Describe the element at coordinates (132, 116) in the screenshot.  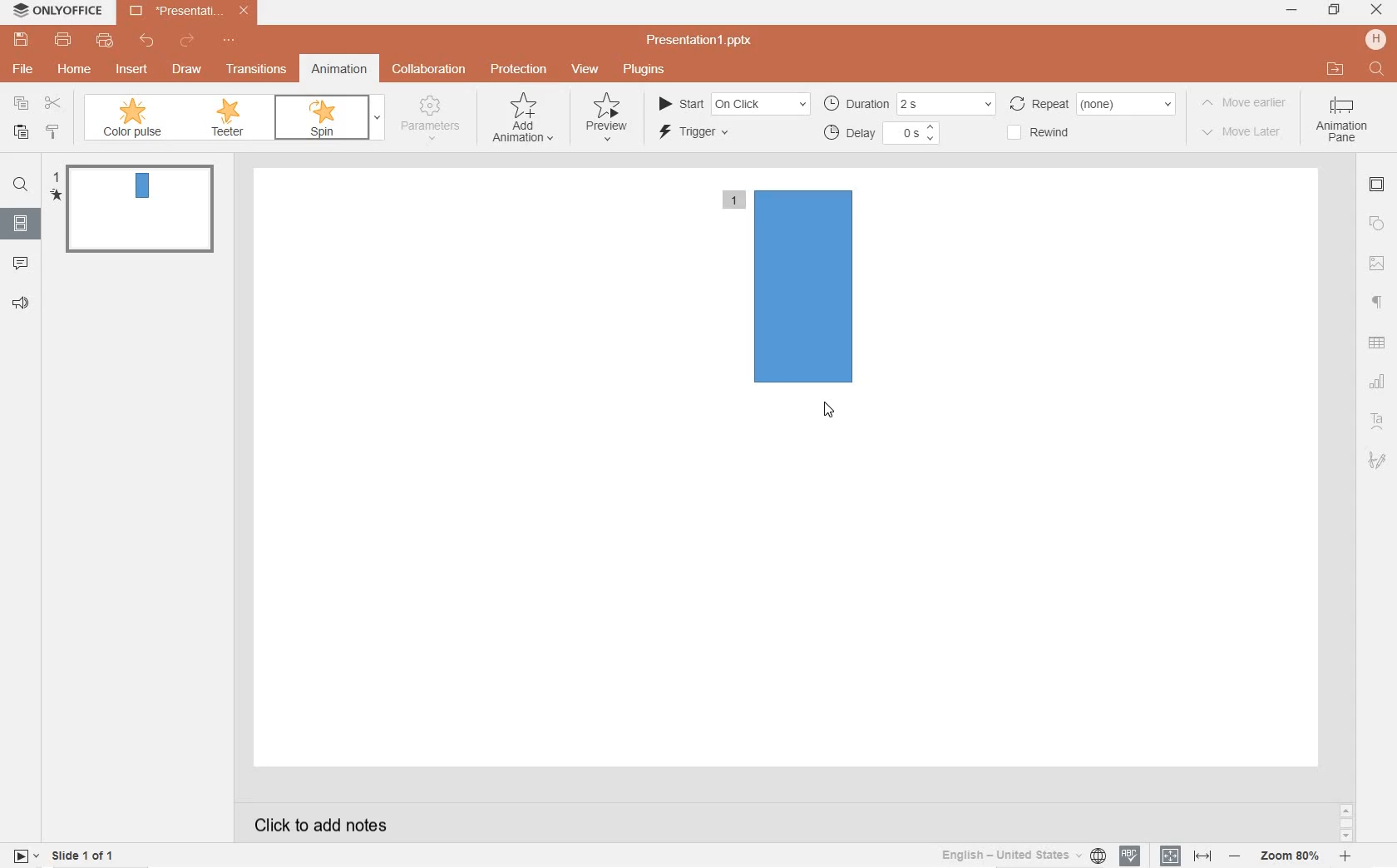
I see `Color pulse` at that location.